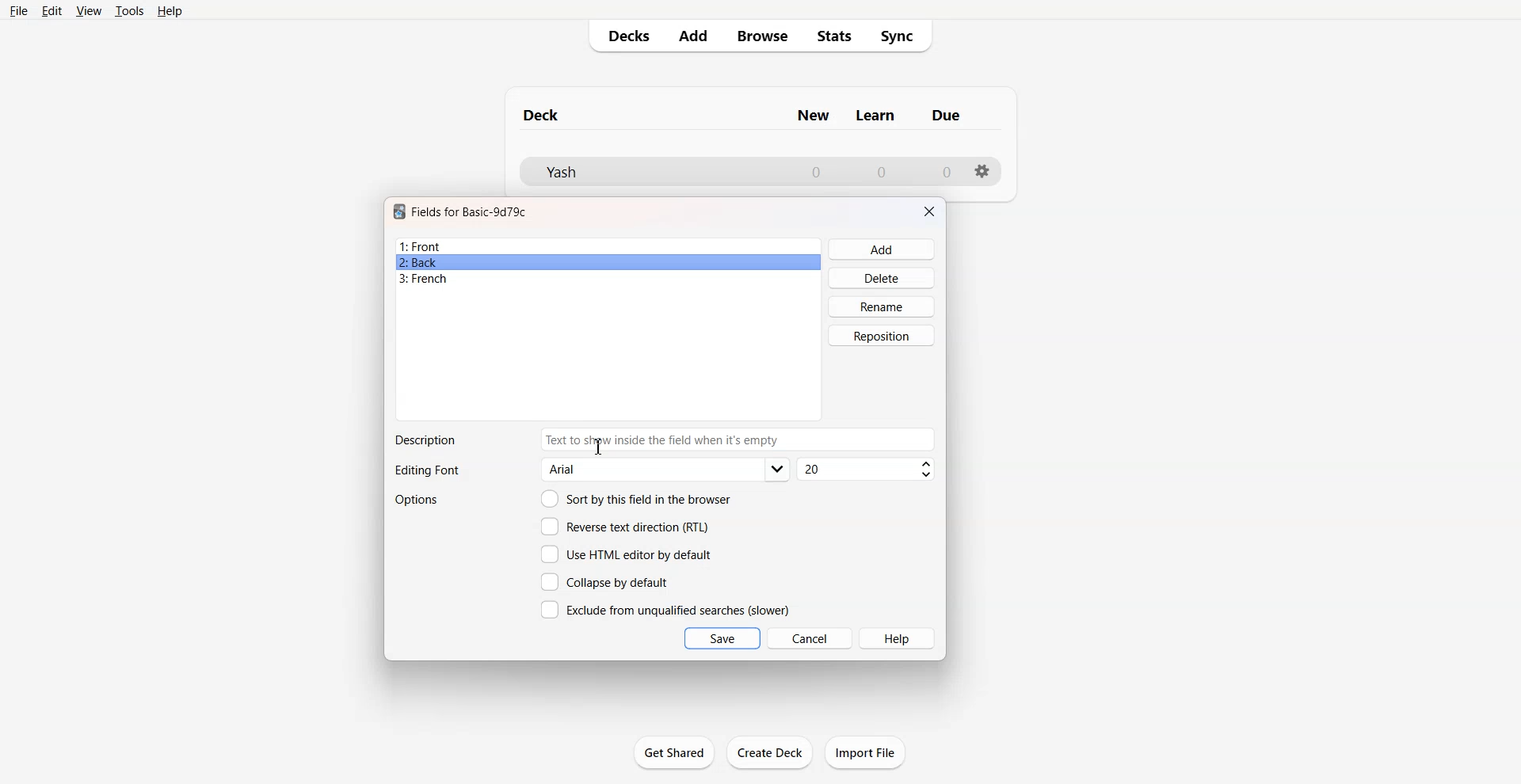  What do you see at coordinates (882, 277) in the screenshot?
I see `Delete` at bounding box center [882, 277].